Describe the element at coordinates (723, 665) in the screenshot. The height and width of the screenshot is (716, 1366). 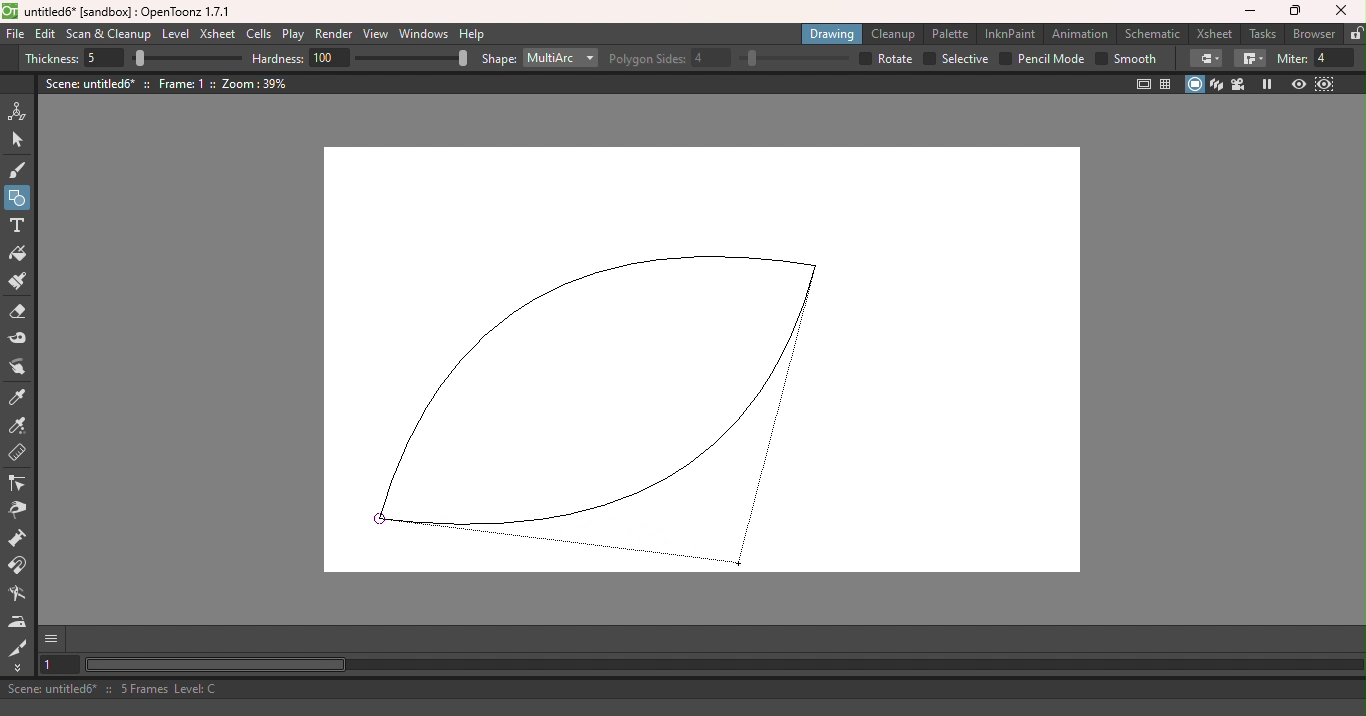
I see `Horizontal scroll bar` at that location.